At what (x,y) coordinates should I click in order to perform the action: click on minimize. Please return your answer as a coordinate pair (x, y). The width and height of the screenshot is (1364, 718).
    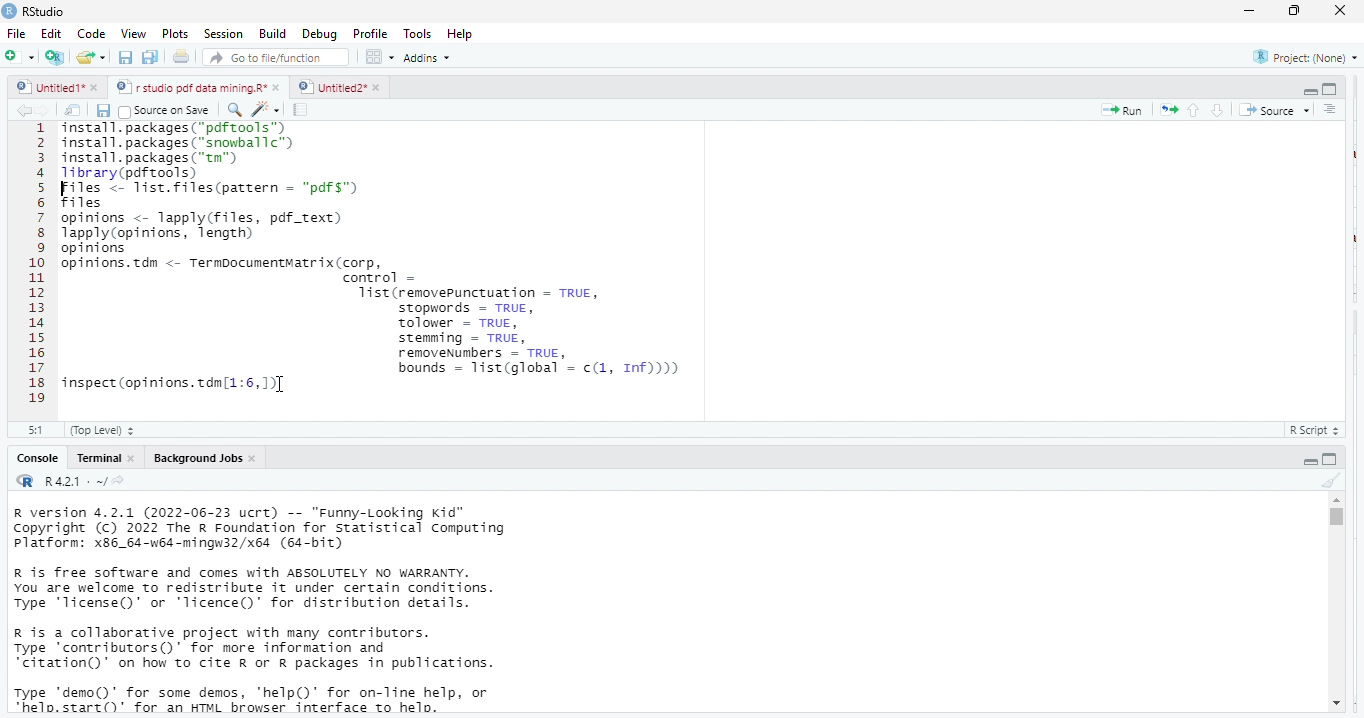
    Looking at the image, I should click on (1249, 10).